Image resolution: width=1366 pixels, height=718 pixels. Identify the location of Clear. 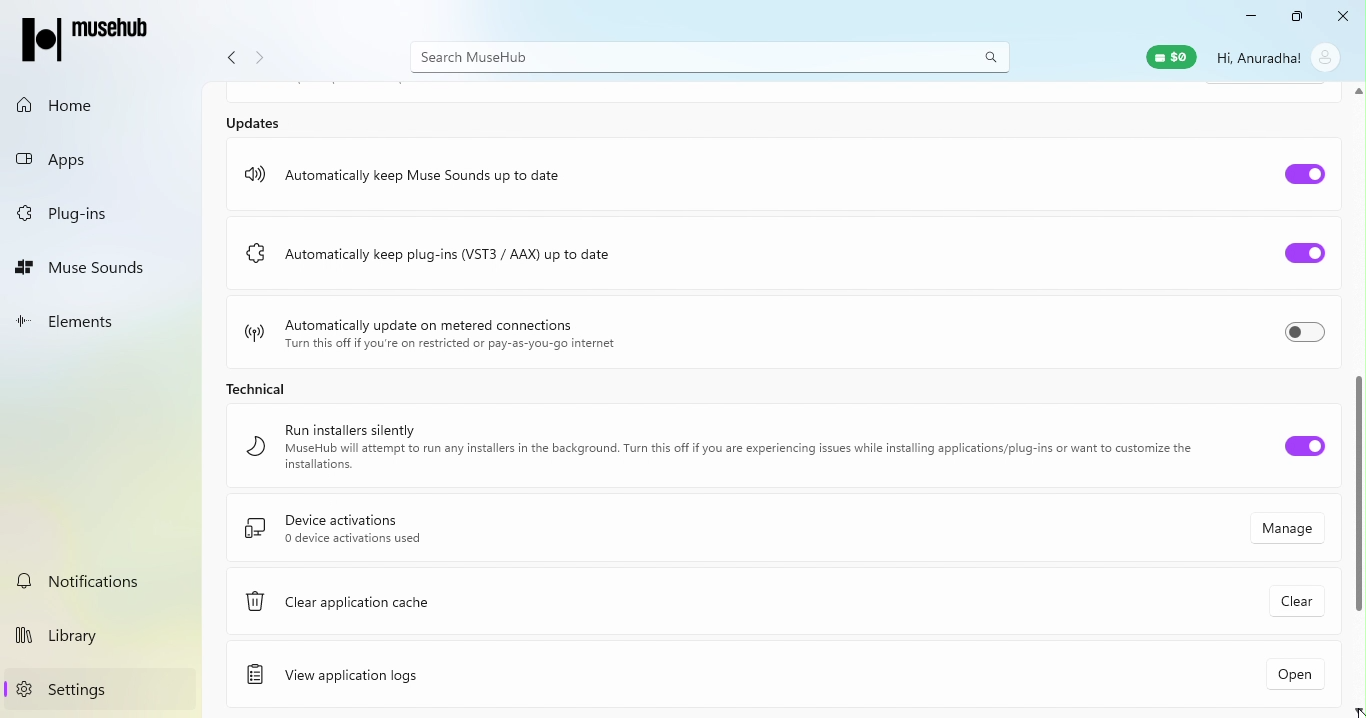
(1300, 602).